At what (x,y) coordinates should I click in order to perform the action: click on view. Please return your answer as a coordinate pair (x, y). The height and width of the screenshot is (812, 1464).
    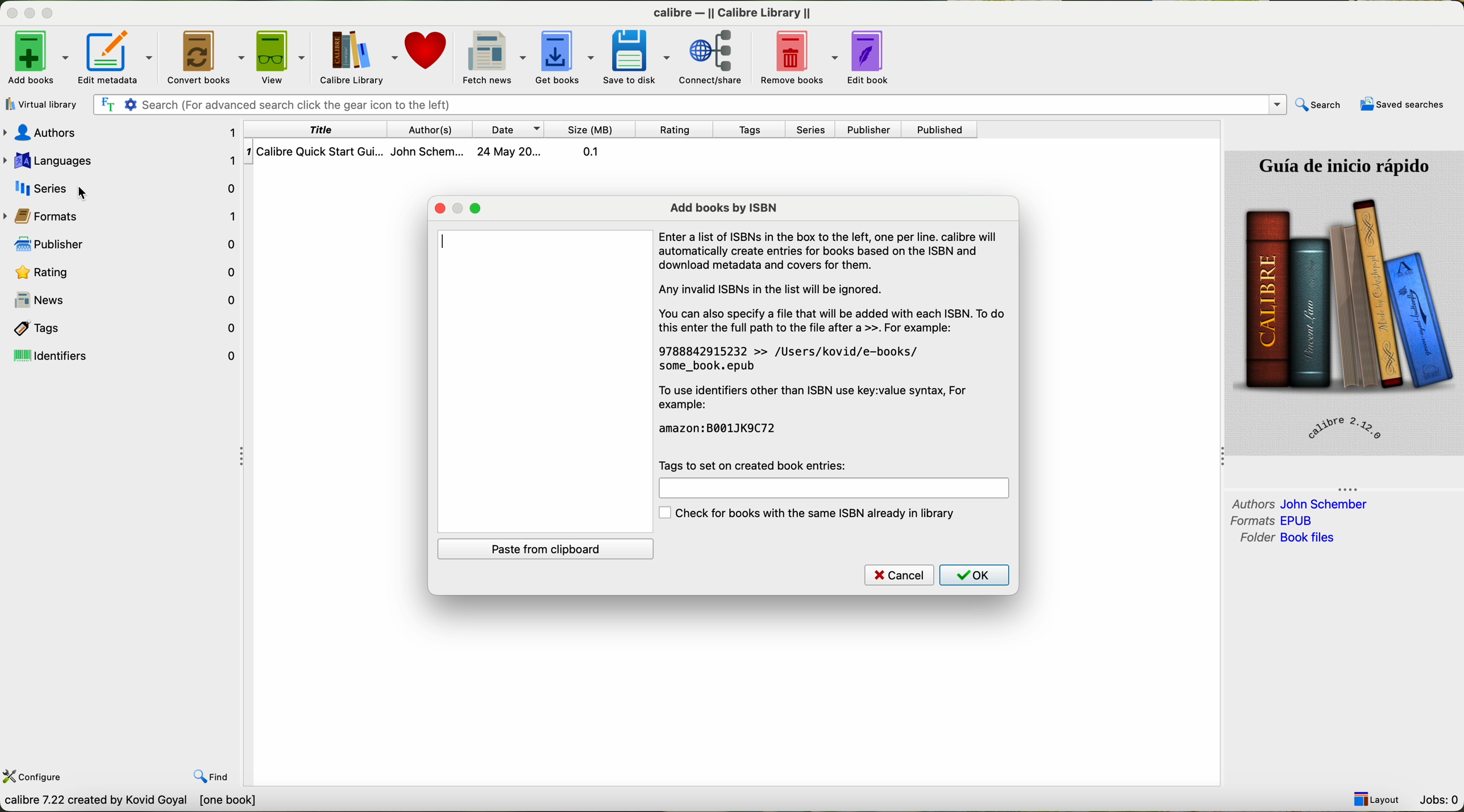
    Looking at the image, I should click on (285, 56).